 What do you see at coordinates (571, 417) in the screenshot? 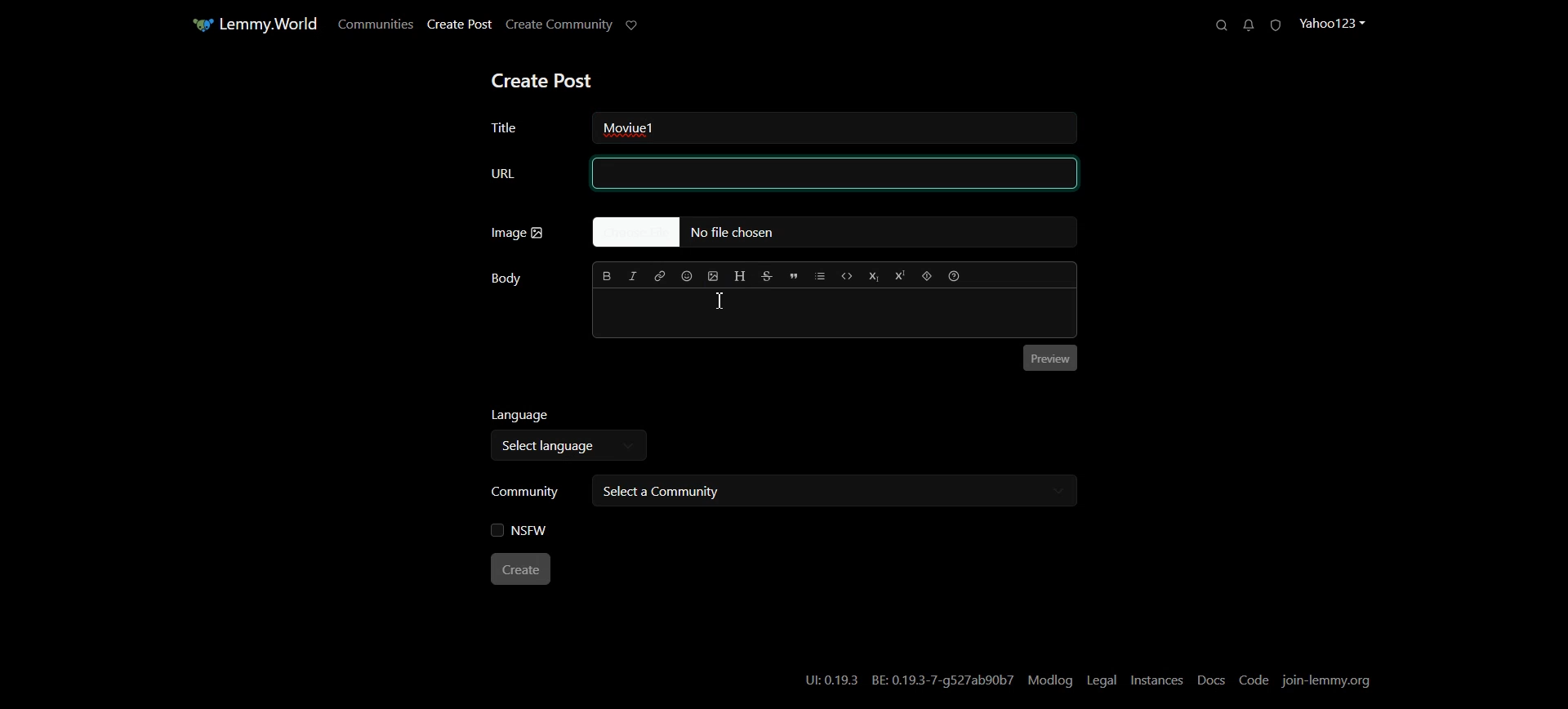
I see `Language` at bounding box center [571, 417].